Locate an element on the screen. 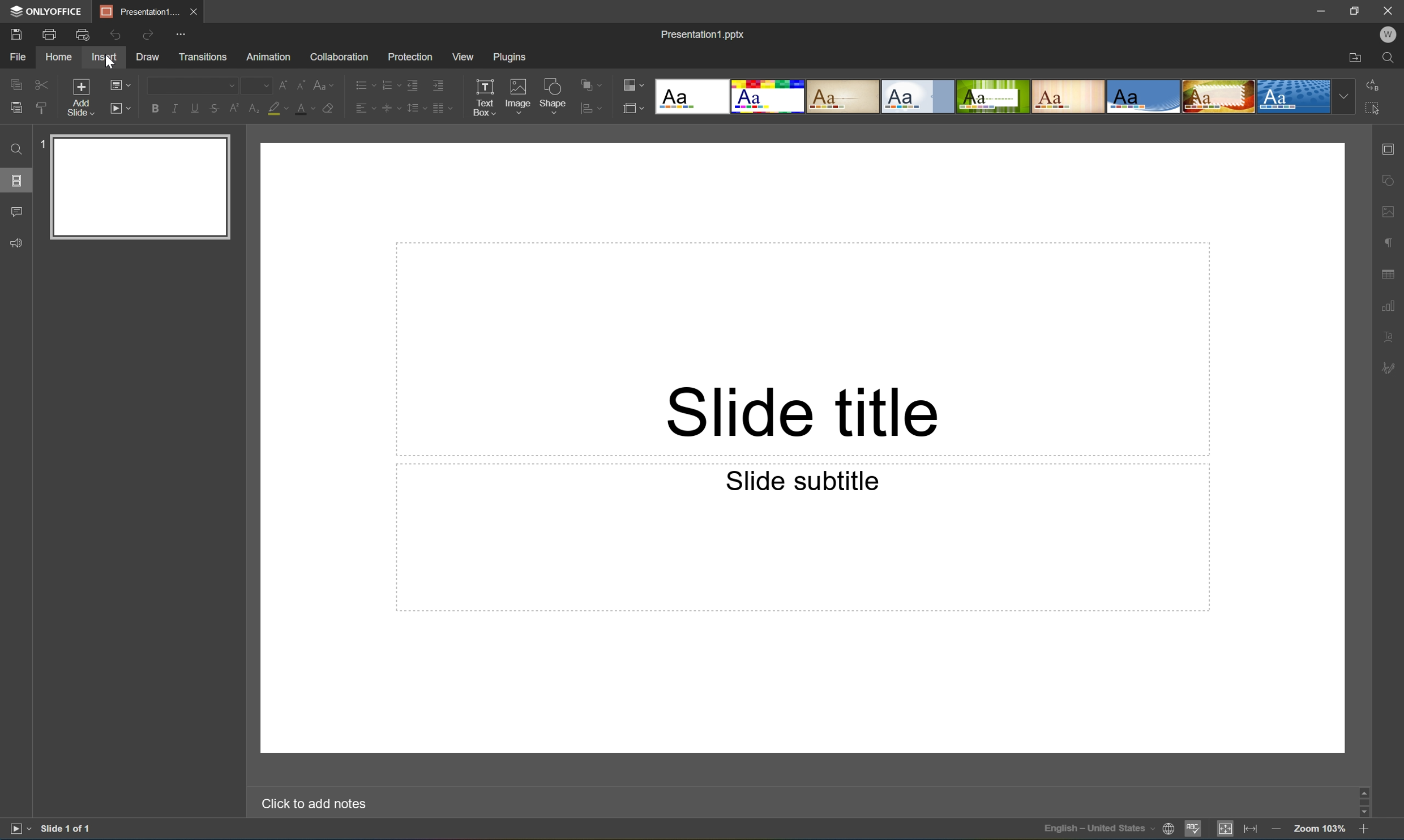 This screenshot has height=840, width=1404. Close is located at coordinates (1392, 10).